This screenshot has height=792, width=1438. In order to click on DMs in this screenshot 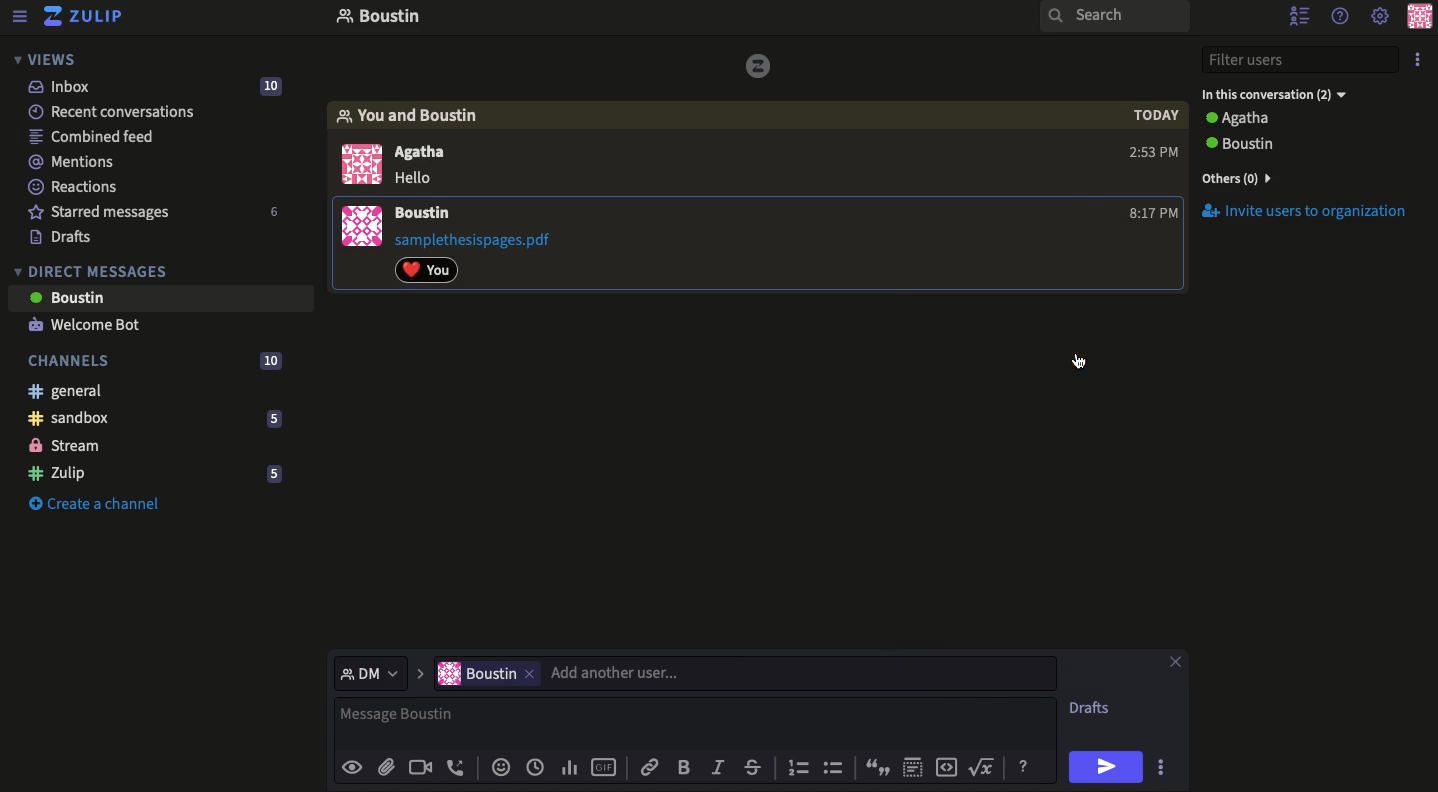, I will do `click(92, 269)`.